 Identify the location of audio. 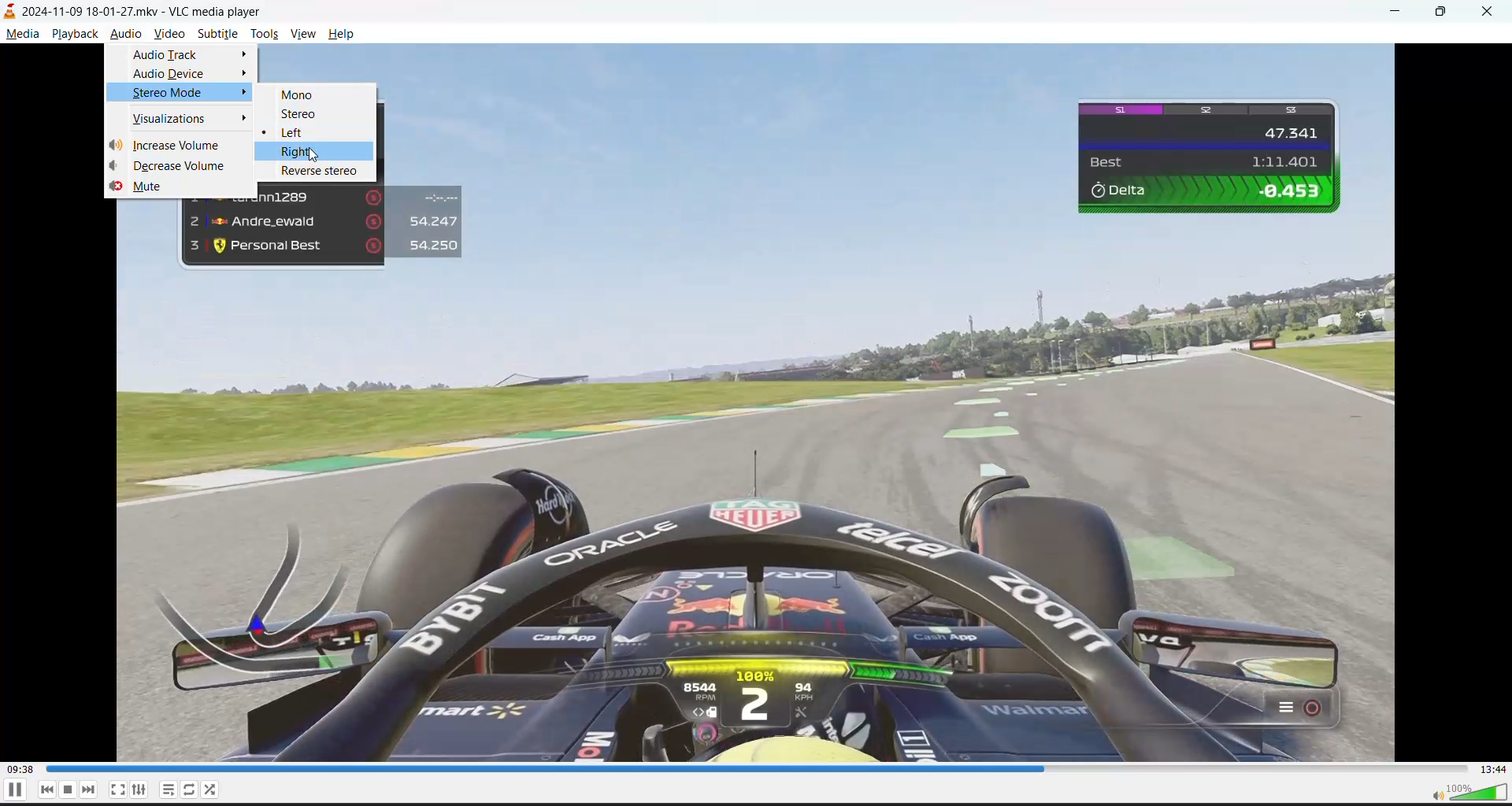
(126, 36).